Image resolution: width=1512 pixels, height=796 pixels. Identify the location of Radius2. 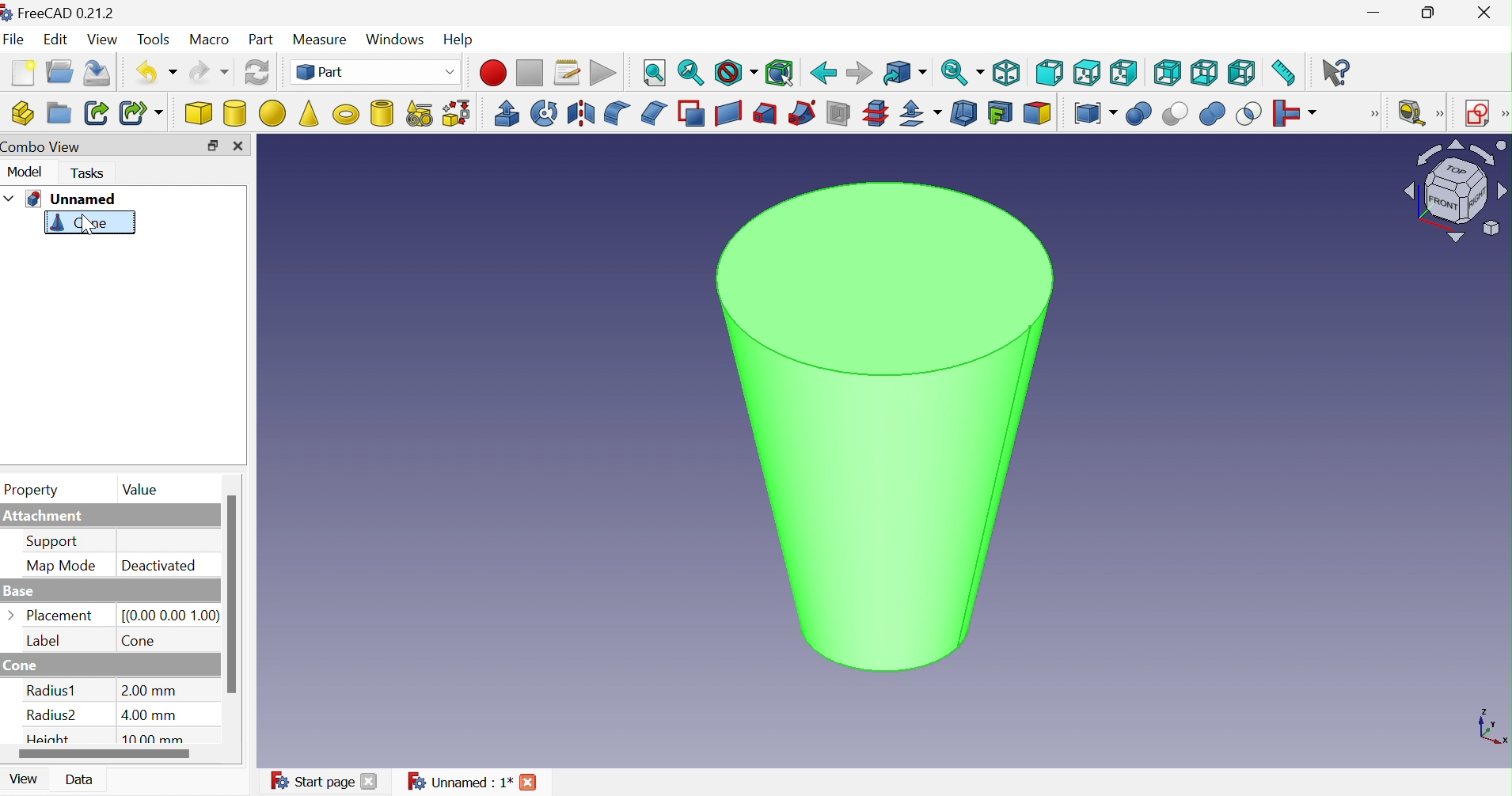
(55, 718).